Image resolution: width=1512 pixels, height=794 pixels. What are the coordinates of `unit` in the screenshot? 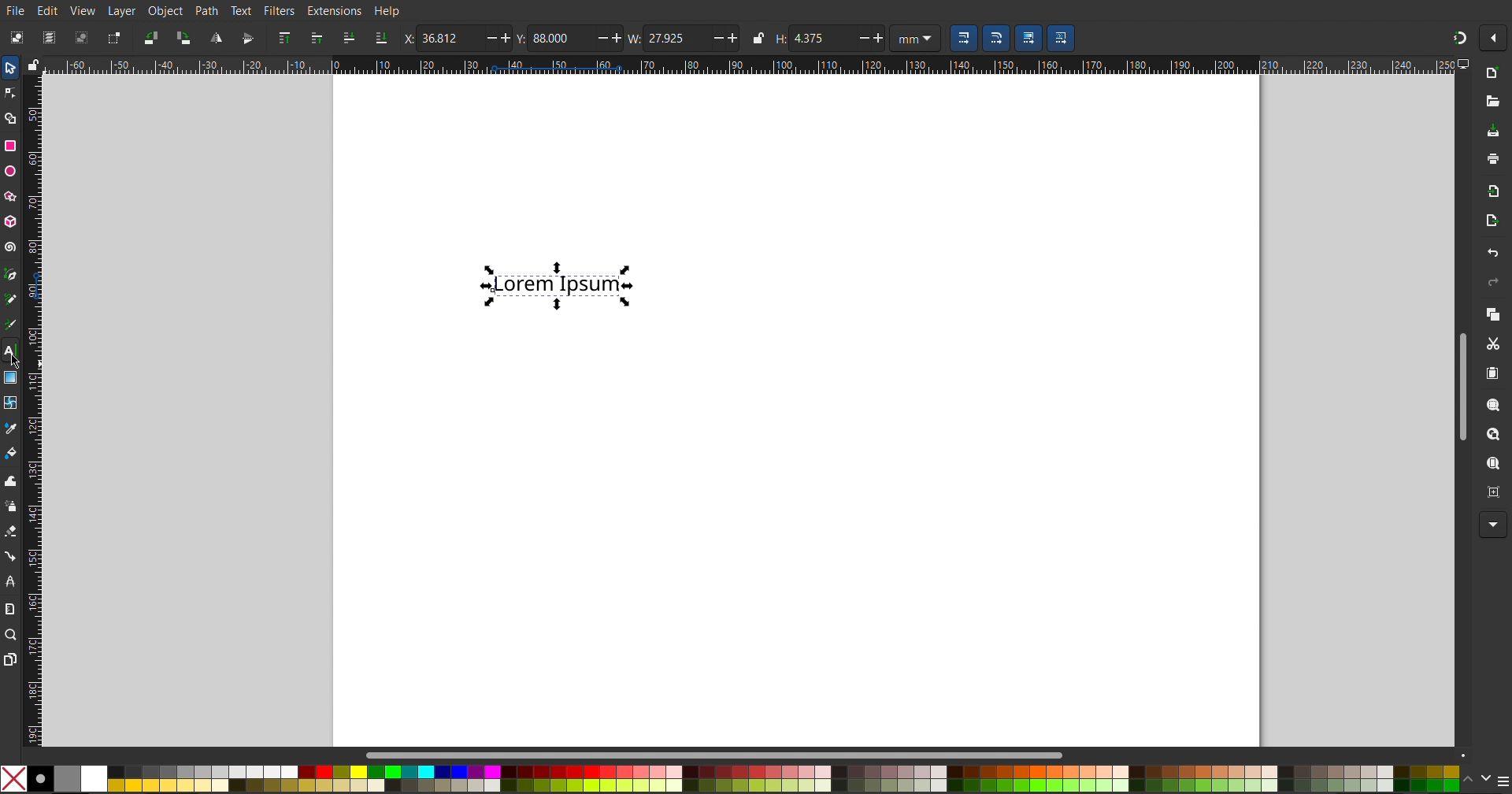 It's located at (915, 39).